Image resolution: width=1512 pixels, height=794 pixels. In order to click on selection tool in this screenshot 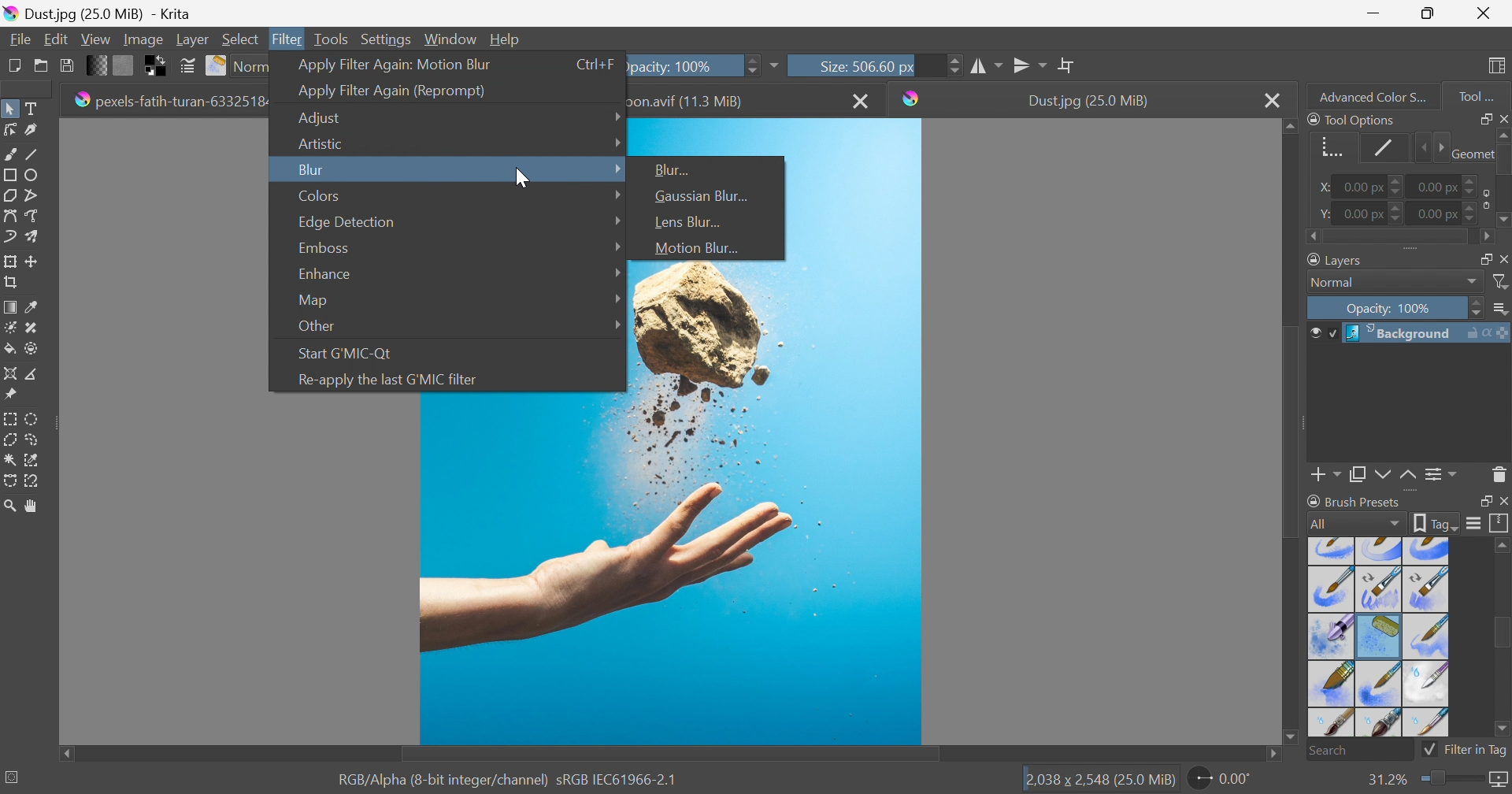, I will do `click(36, 458)`.